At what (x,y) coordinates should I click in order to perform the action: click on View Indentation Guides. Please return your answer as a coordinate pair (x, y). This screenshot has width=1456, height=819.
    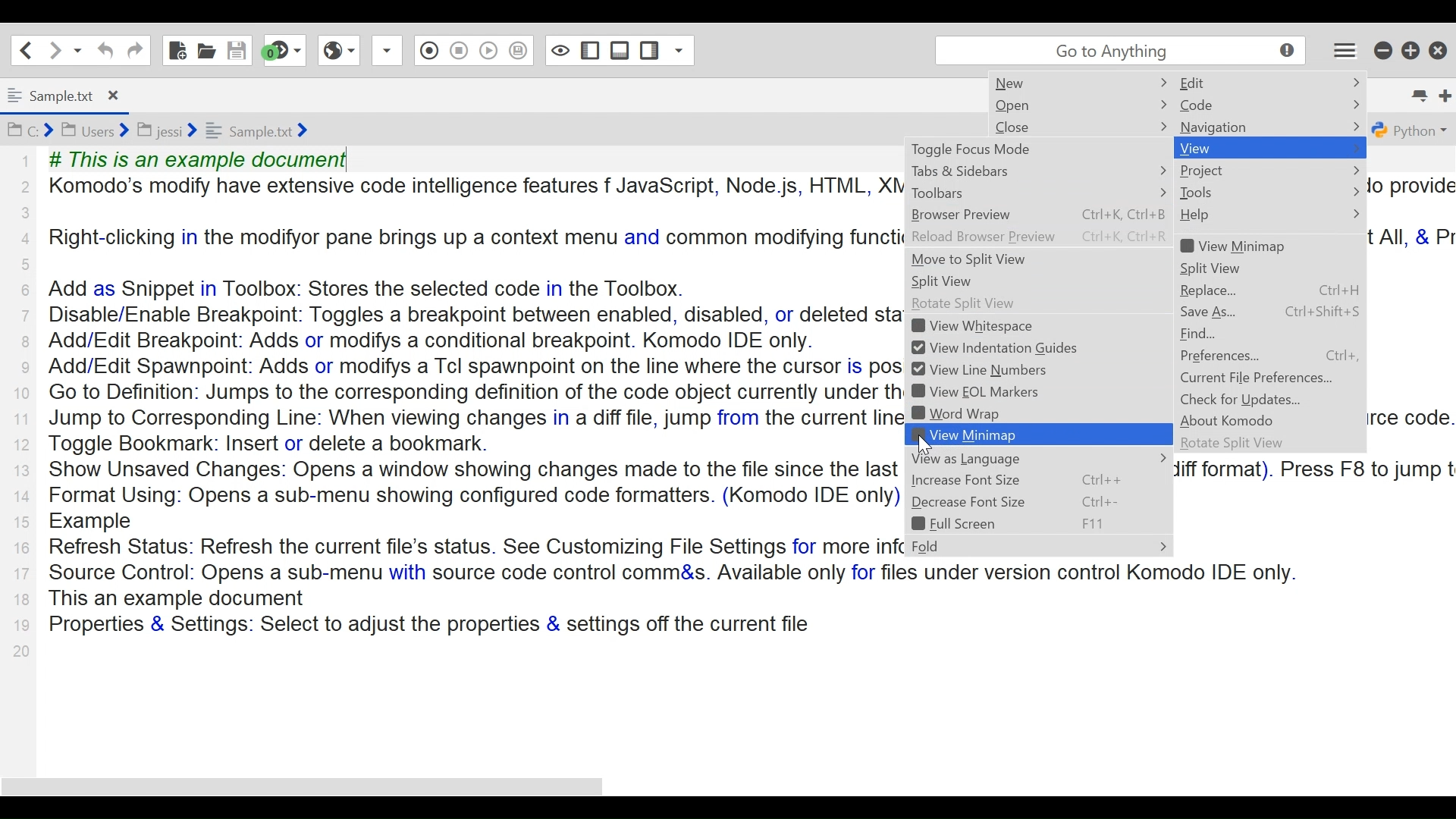
    Looking at the image, I should click on (993, 348).